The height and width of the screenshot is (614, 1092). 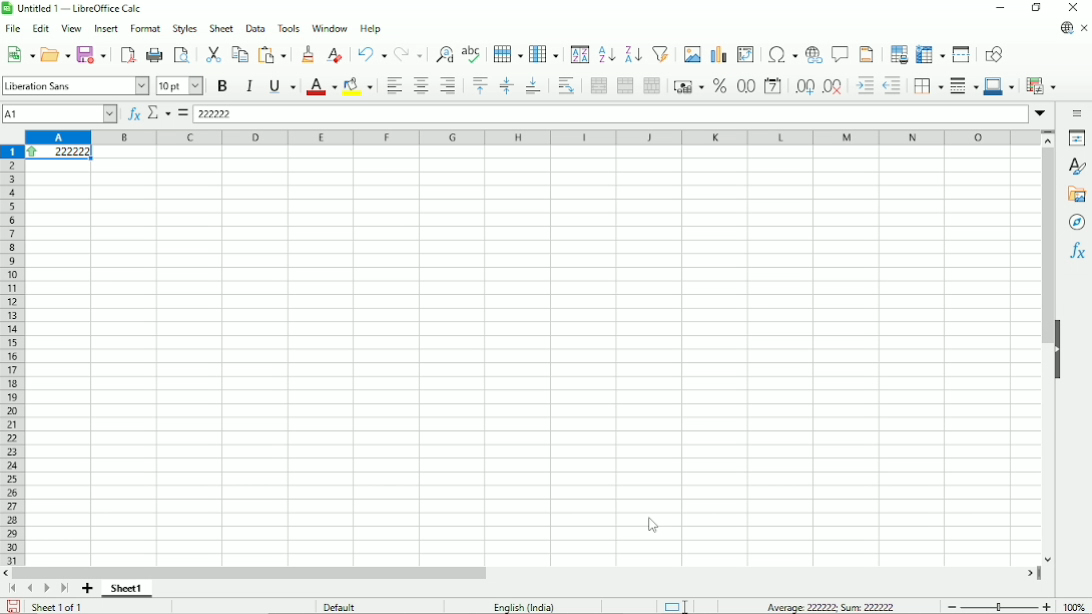 What do you see at coordinates (505, 86) in the screenshot?
I see `Center vertically` at bounding box center [505, 86].